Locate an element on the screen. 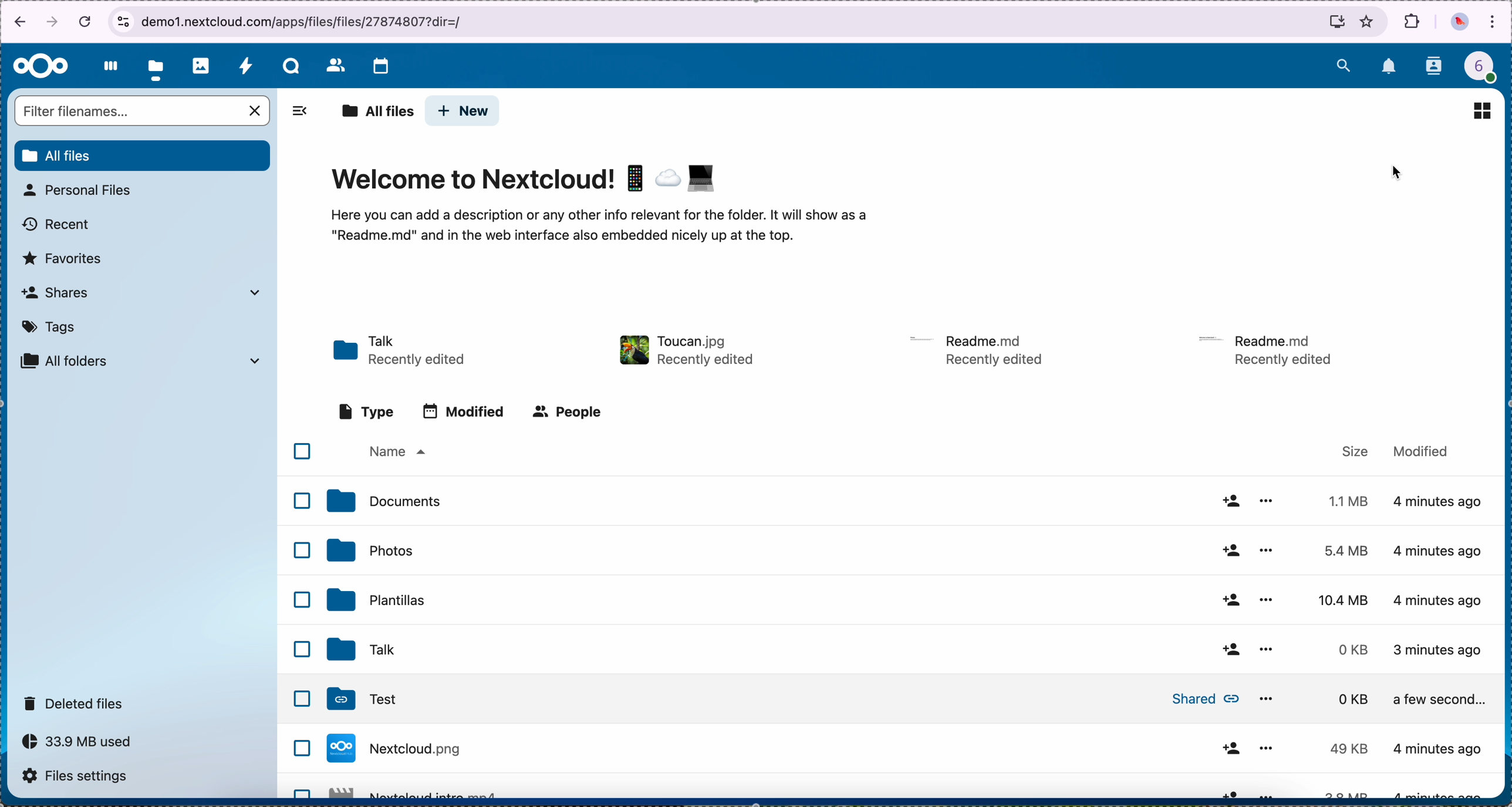  extensions is located at coordinates (1413, 21).